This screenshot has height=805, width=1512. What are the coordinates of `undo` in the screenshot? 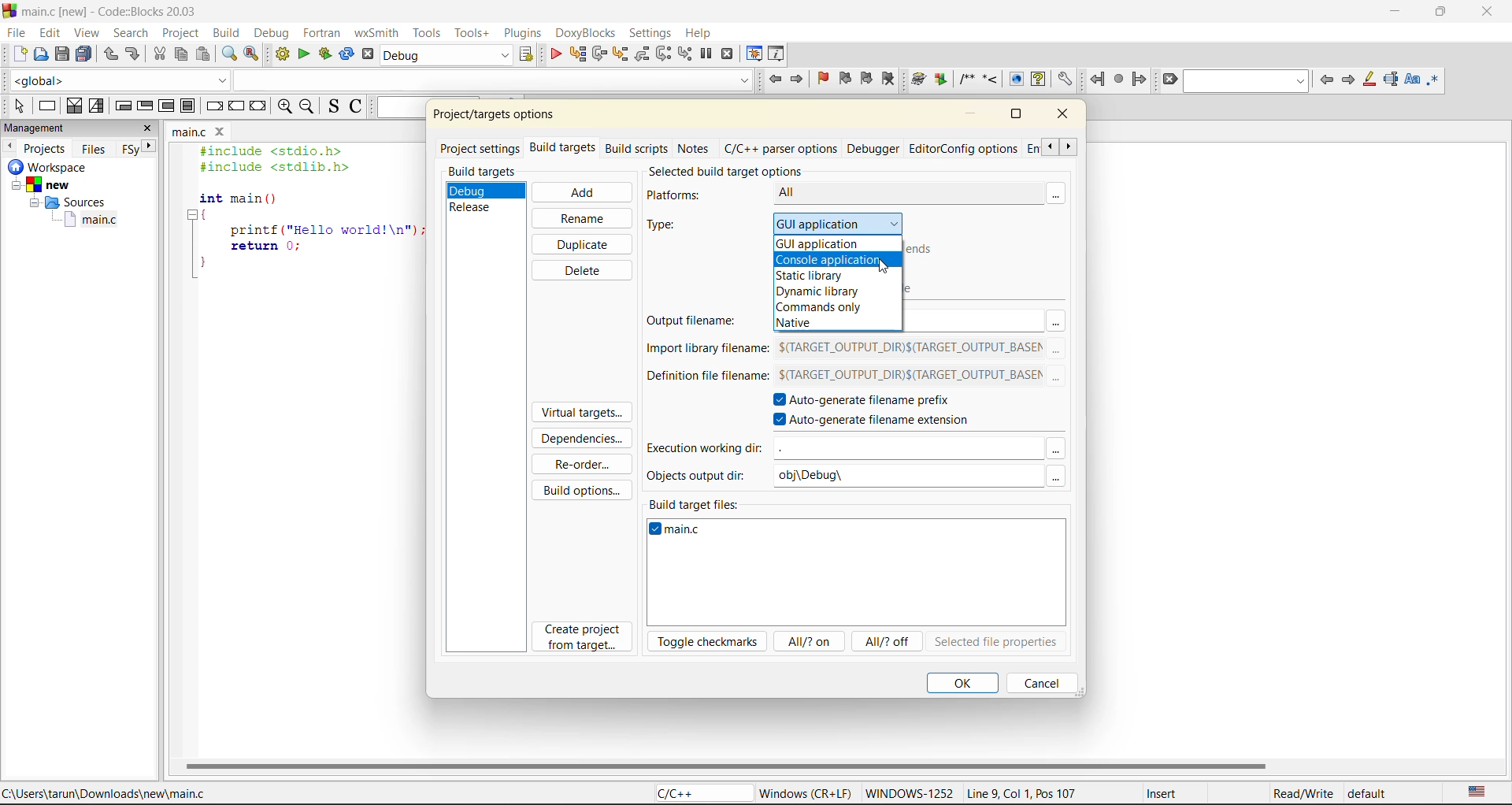 It's located at (109, 54).